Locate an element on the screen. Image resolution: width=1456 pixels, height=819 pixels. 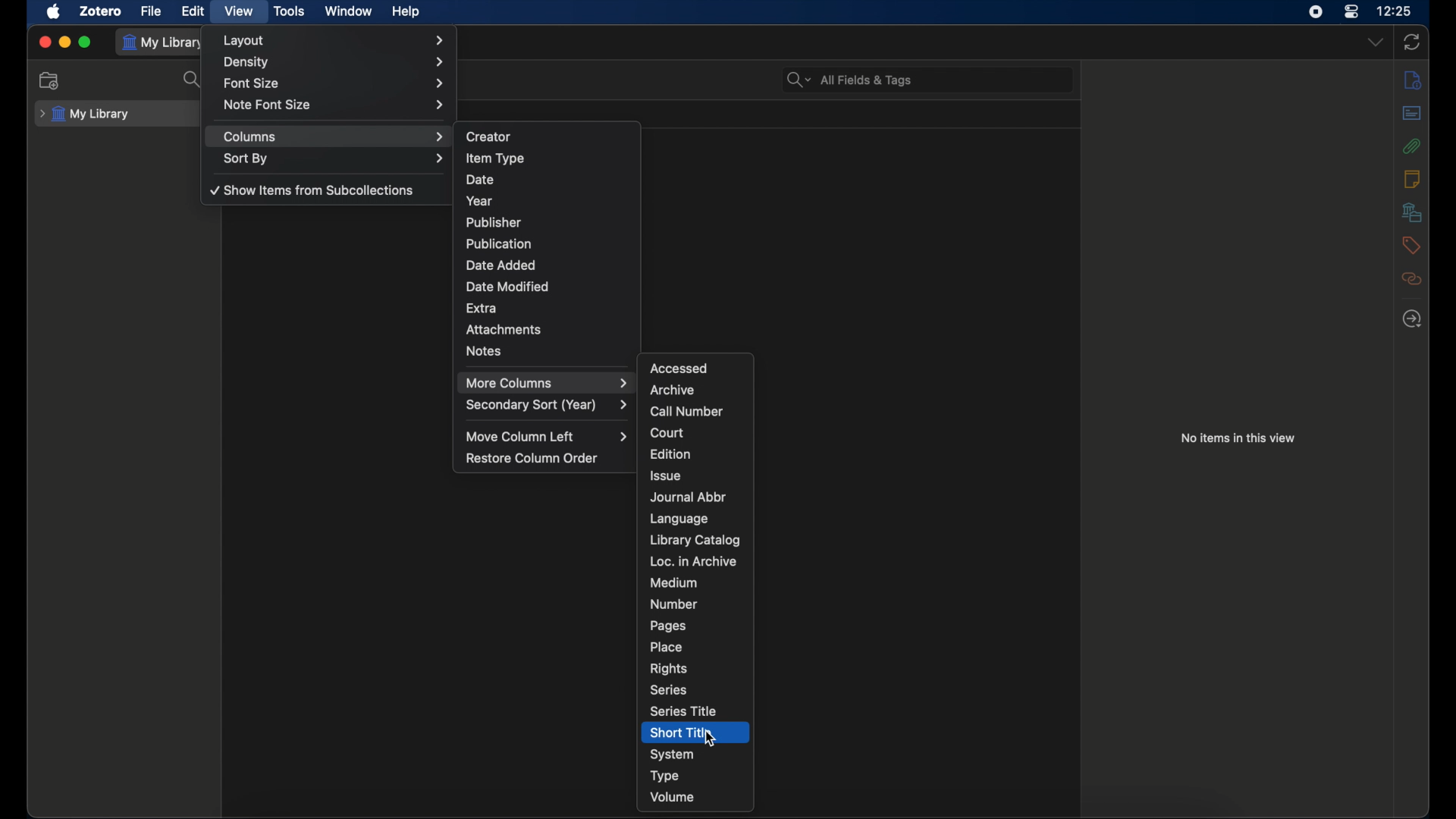
call number is located at coordinates (689, 412).